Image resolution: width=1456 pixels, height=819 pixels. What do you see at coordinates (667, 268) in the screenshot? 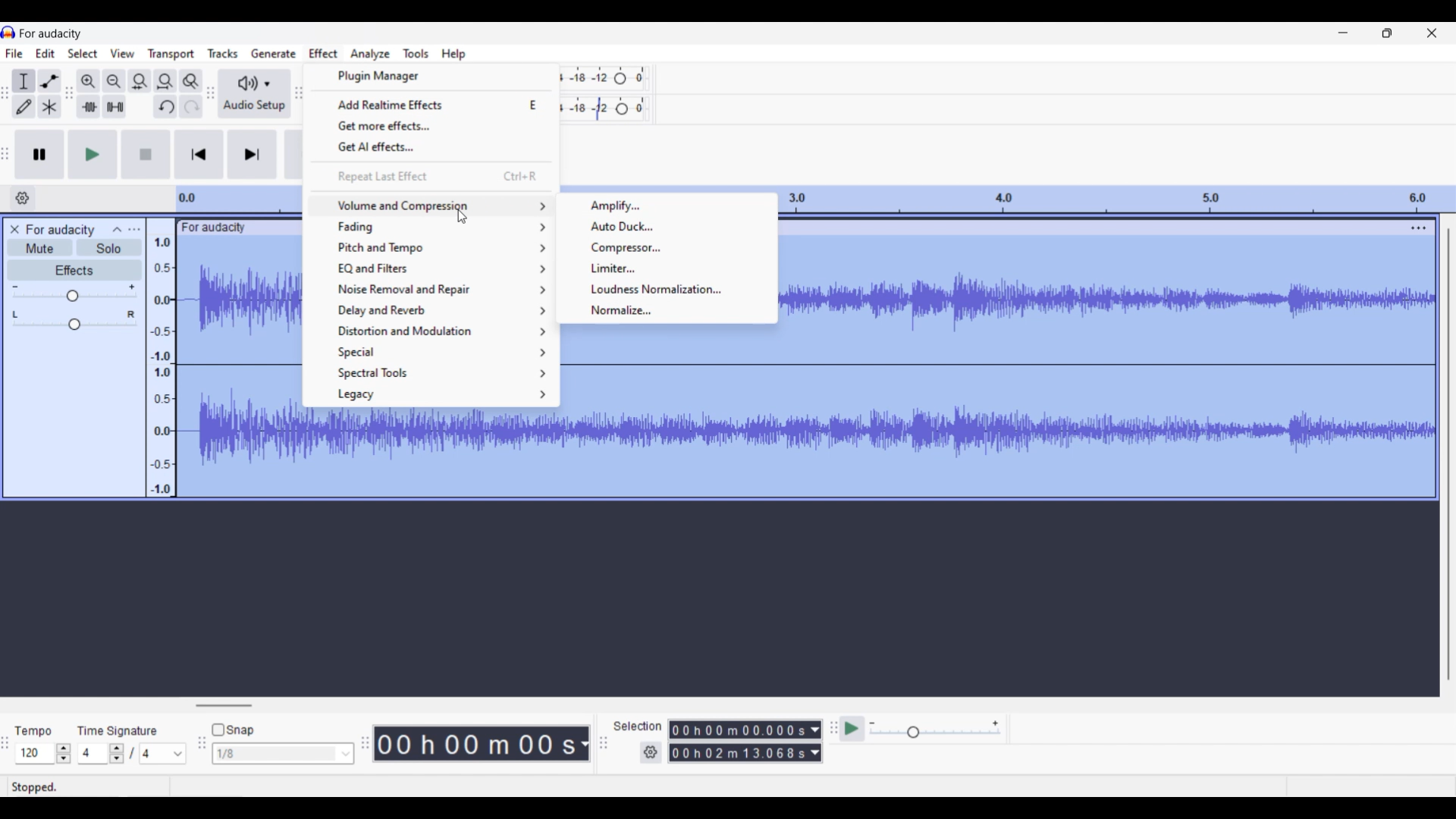
I see `Limiter` at bounding box center [667, 268].